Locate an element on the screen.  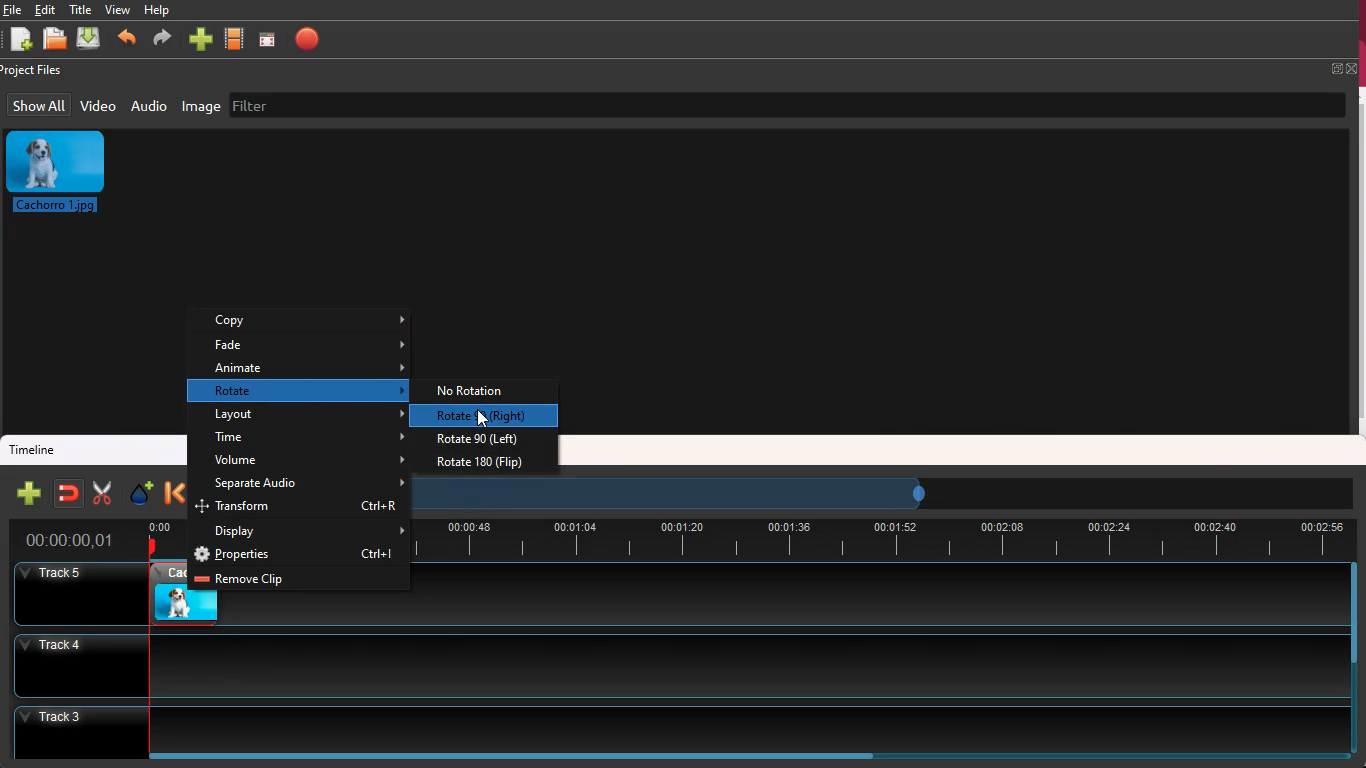
scrollbar is located at coordinates (744, 754).